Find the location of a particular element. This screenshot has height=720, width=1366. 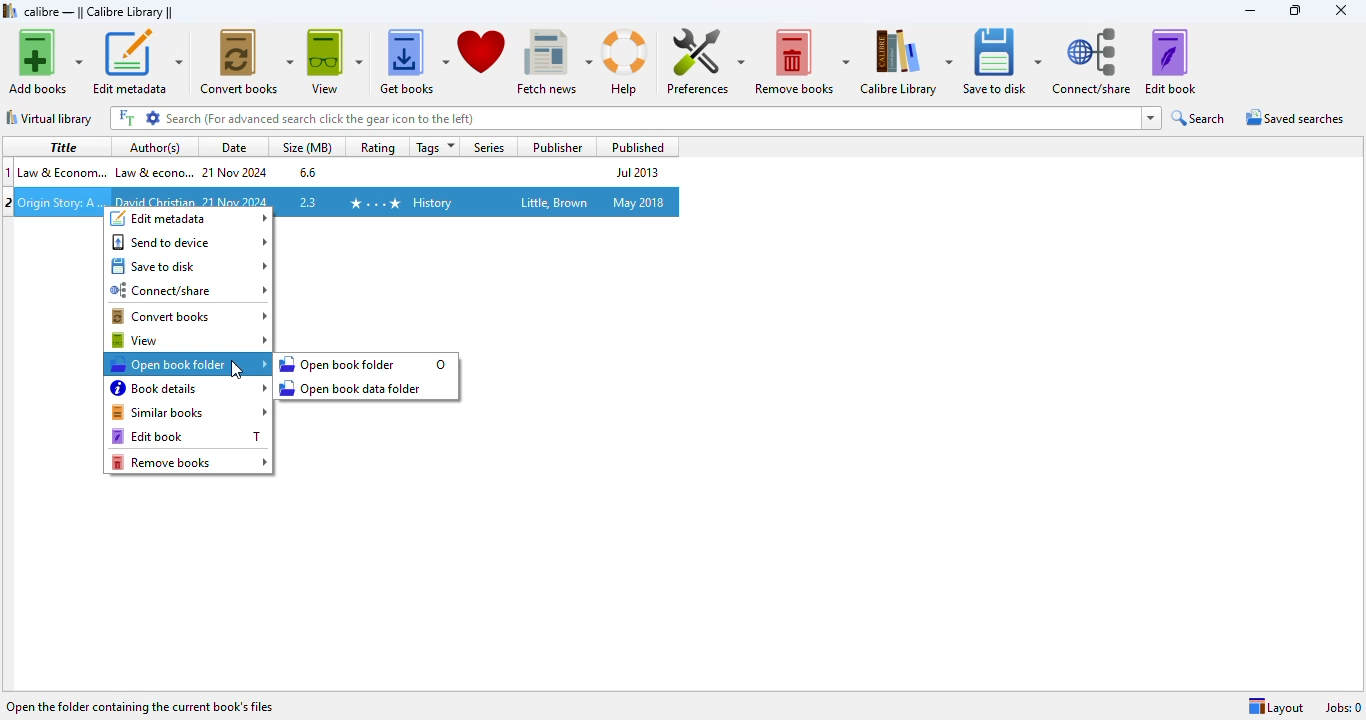

size (MB) is located at coordinates (307, 147).